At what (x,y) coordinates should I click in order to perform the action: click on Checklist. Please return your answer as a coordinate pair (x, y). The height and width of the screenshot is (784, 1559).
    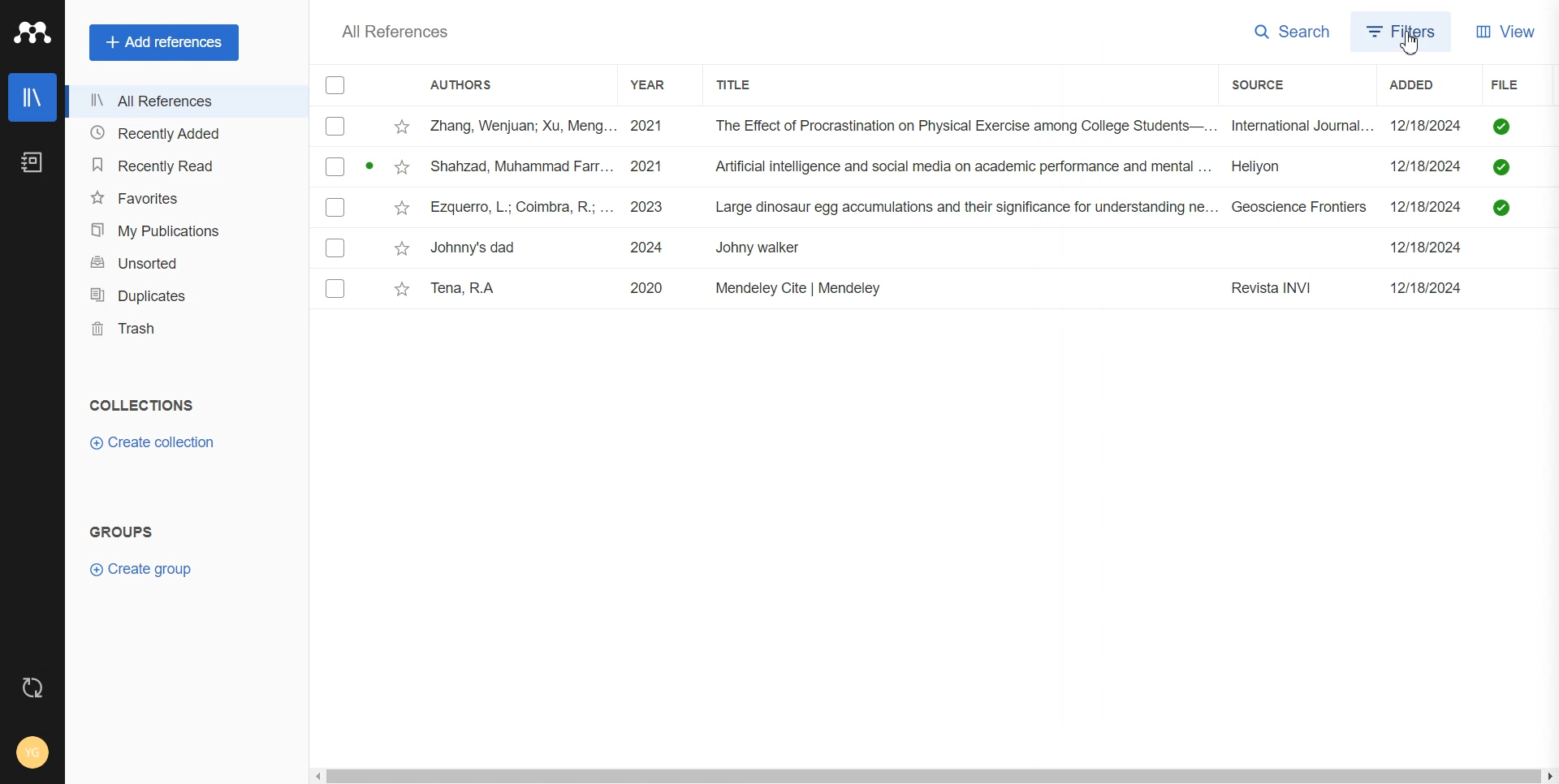
    Looking at the image, I should click on (335, 84).